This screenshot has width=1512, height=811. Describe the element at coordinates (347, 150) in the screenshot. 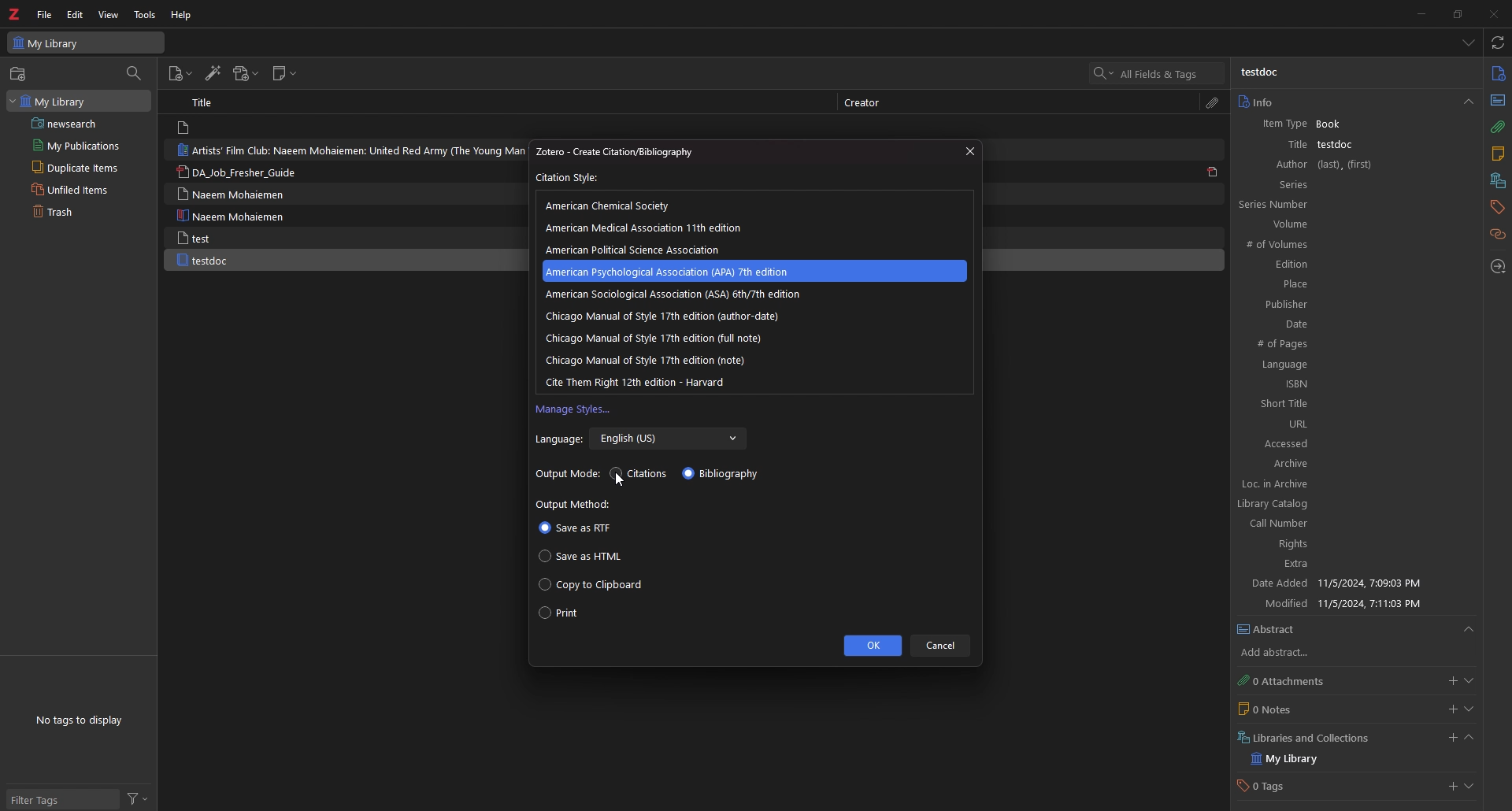

I see `Artists’ Film Club: Naeem Mohaiemen: United Red Army` at that location.